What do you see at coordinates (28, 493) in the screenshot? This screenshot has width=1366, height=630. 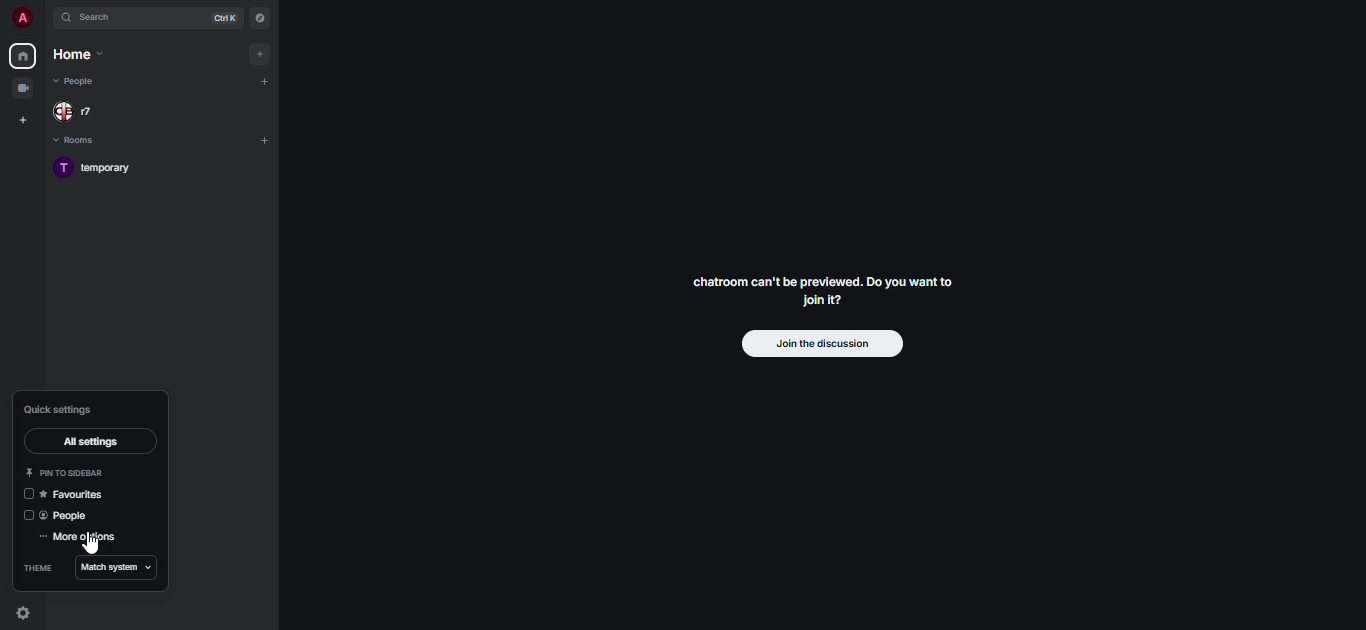 I see `click to enable` at bounding box center [28, 493].